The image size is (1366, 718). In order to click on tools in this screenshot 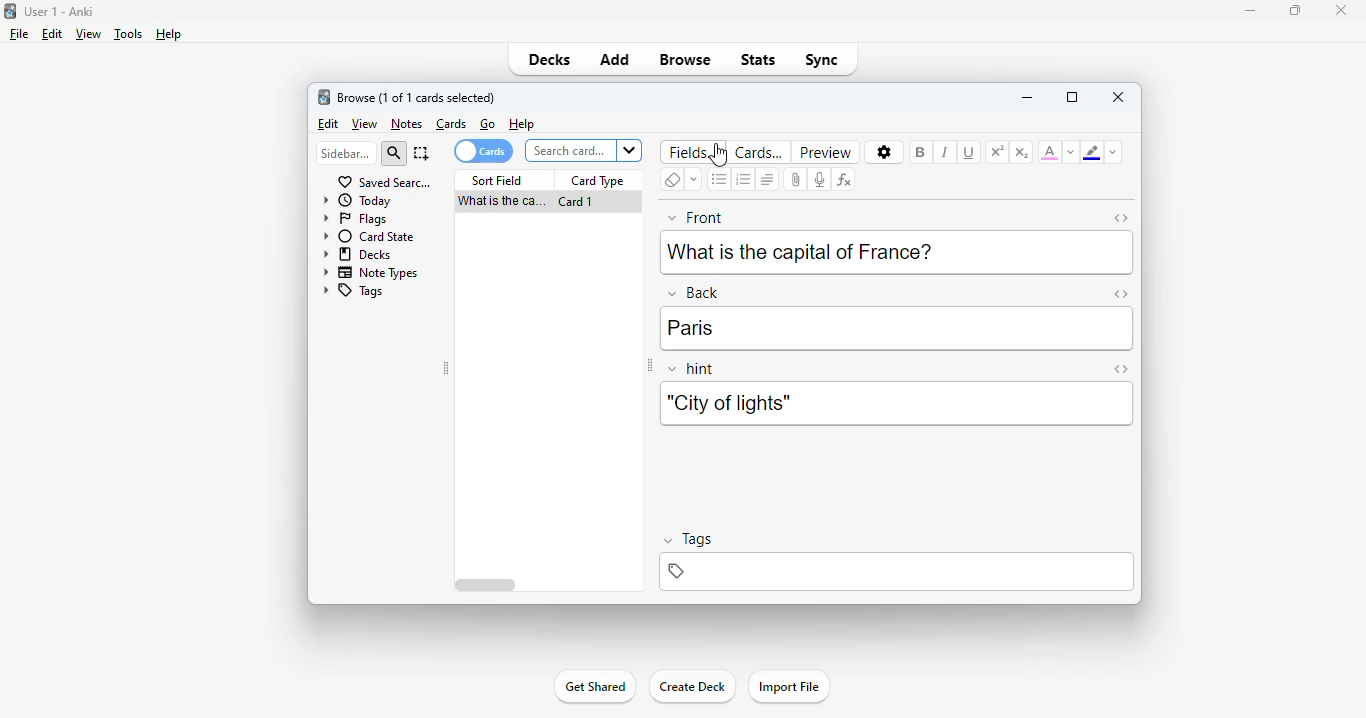, I will do `click(129, 34)`.